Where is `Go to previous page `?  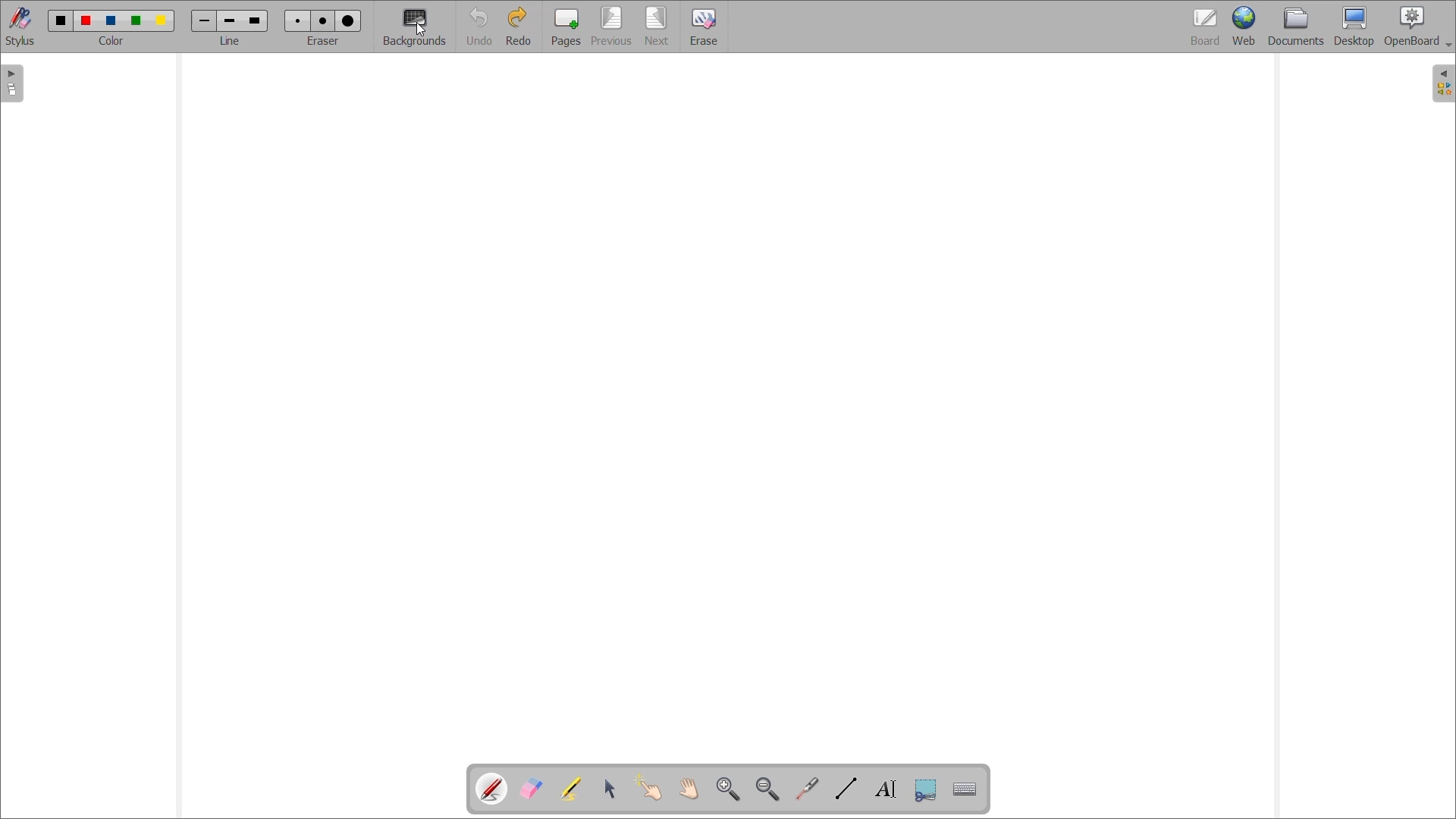 Go to previous page  is located at coordinates (611, 27).